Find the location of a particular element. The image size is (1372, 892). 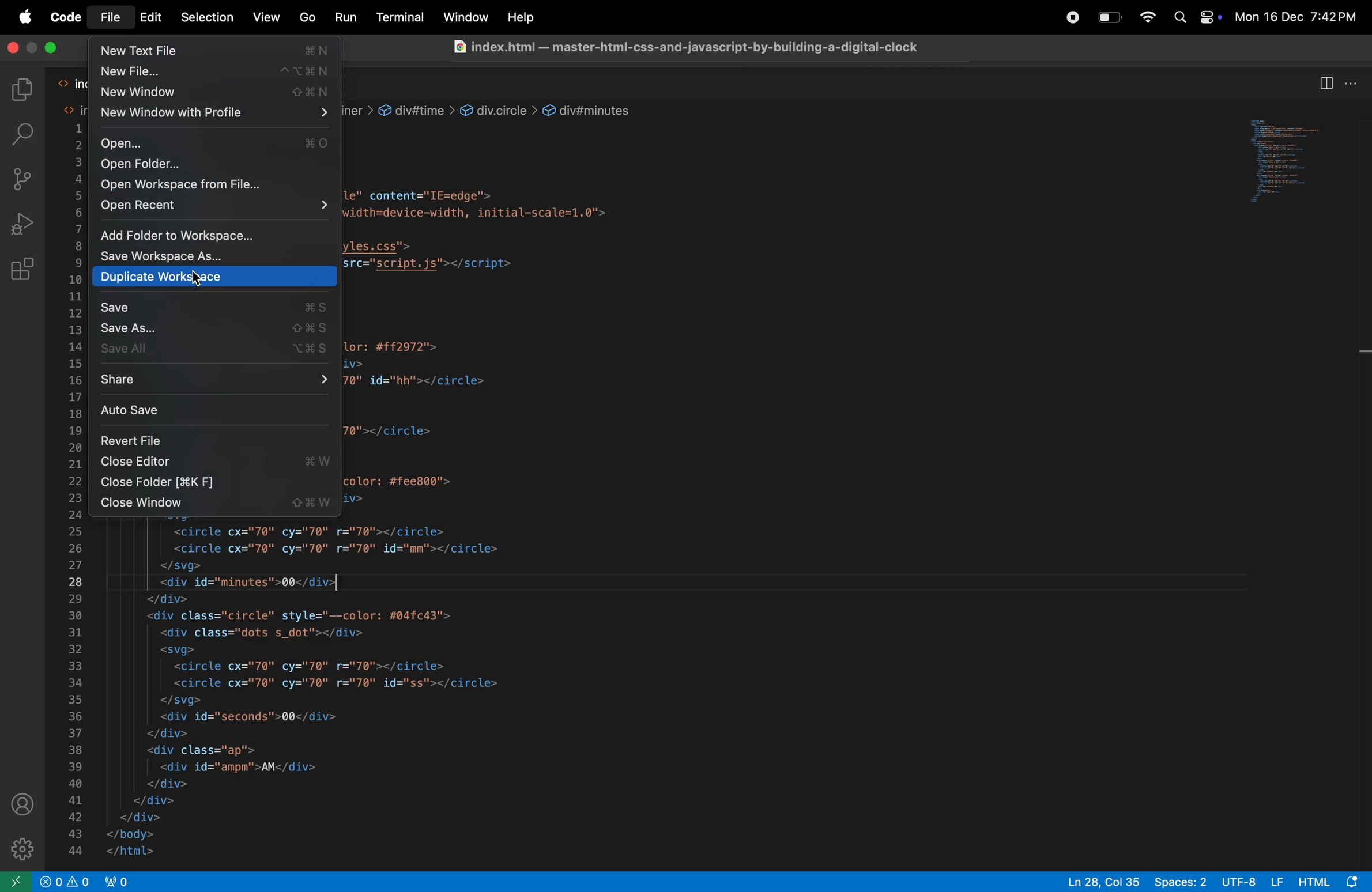

new file is located at coordinates (209, 92).